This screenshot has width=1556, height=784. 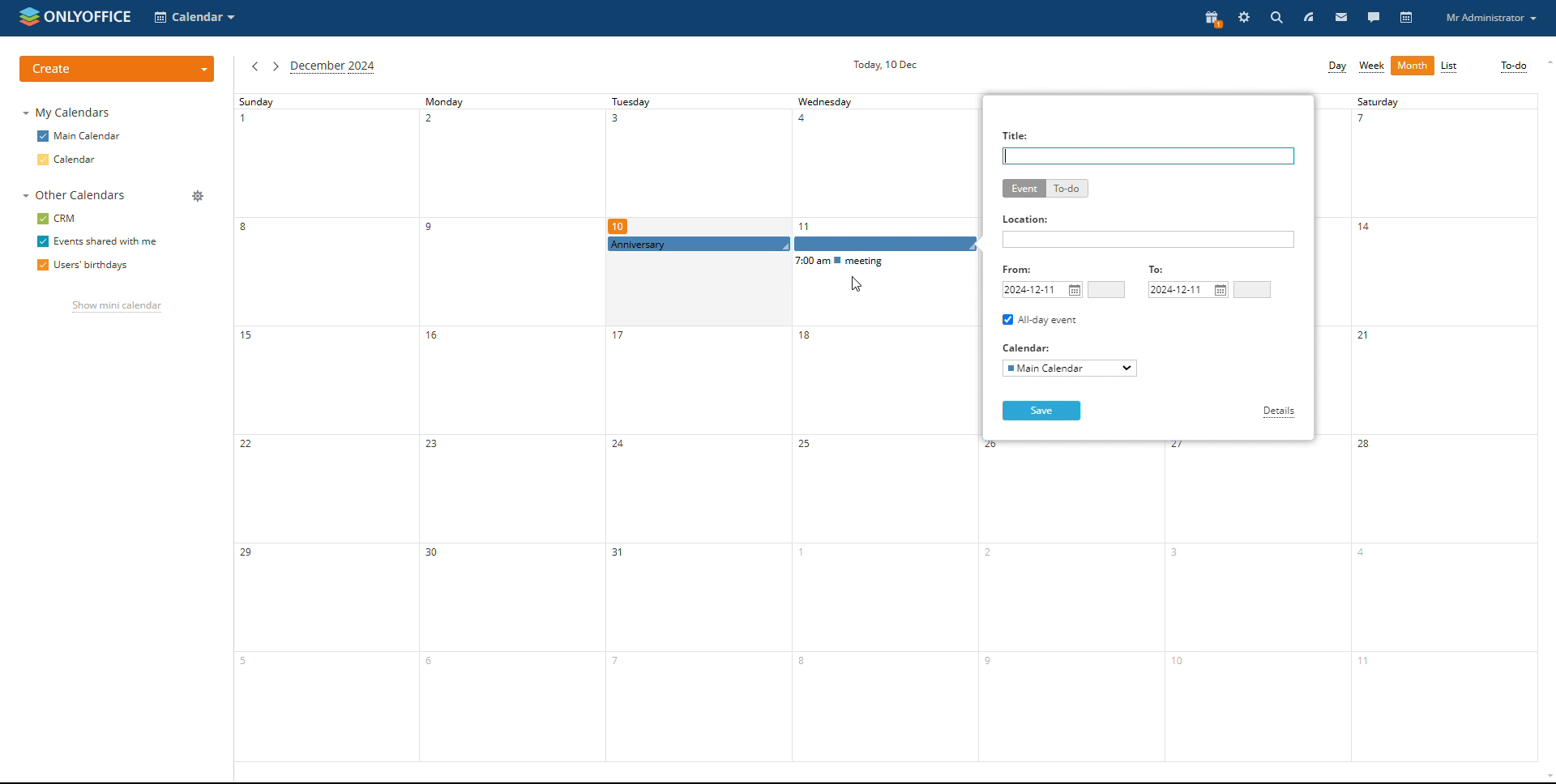 I want to click on mail, so click(x=1341, y=19).